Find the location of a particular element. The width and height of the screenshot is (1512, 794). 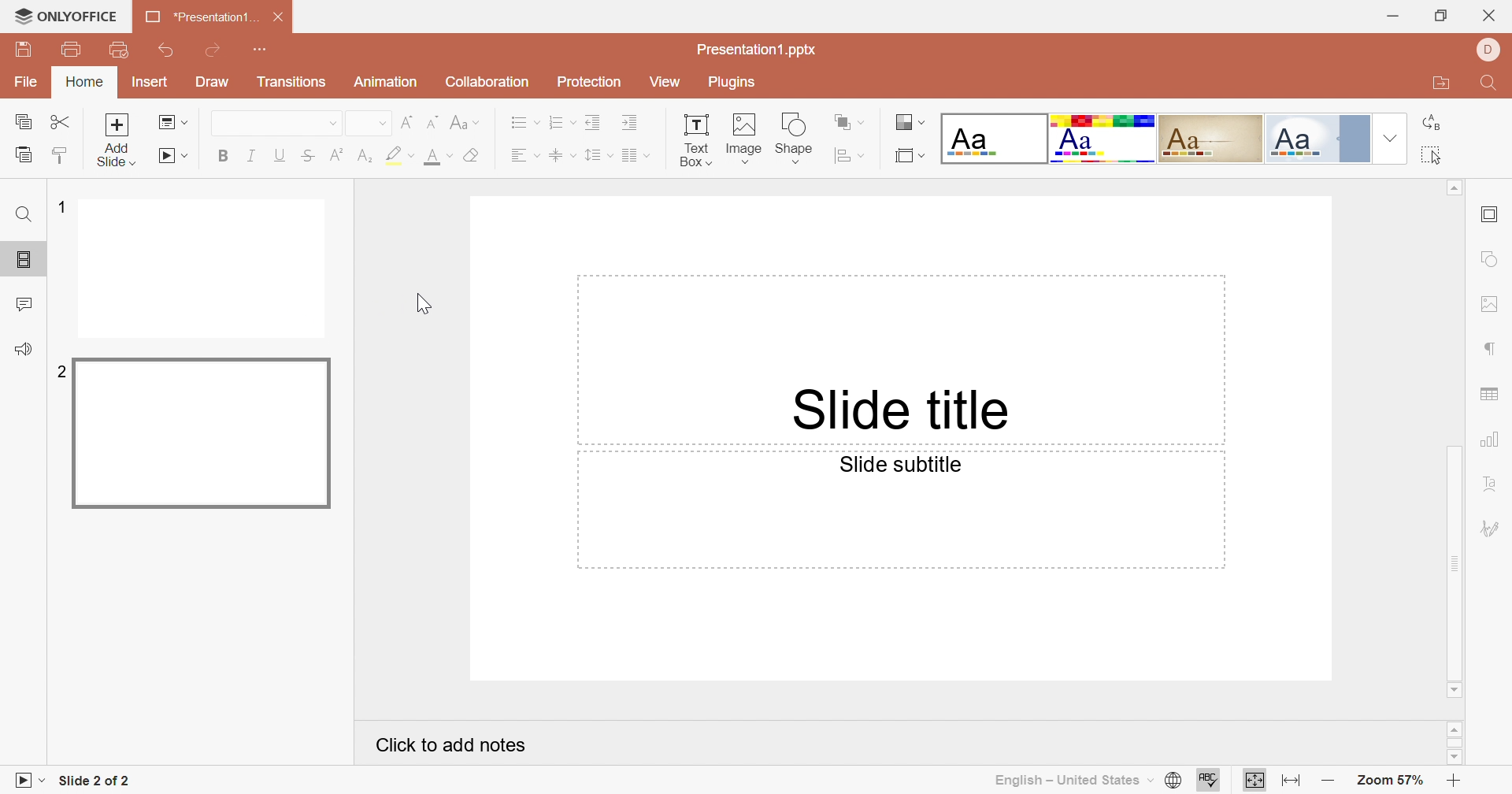

Scroll down is located at coordinates (1454, 756).